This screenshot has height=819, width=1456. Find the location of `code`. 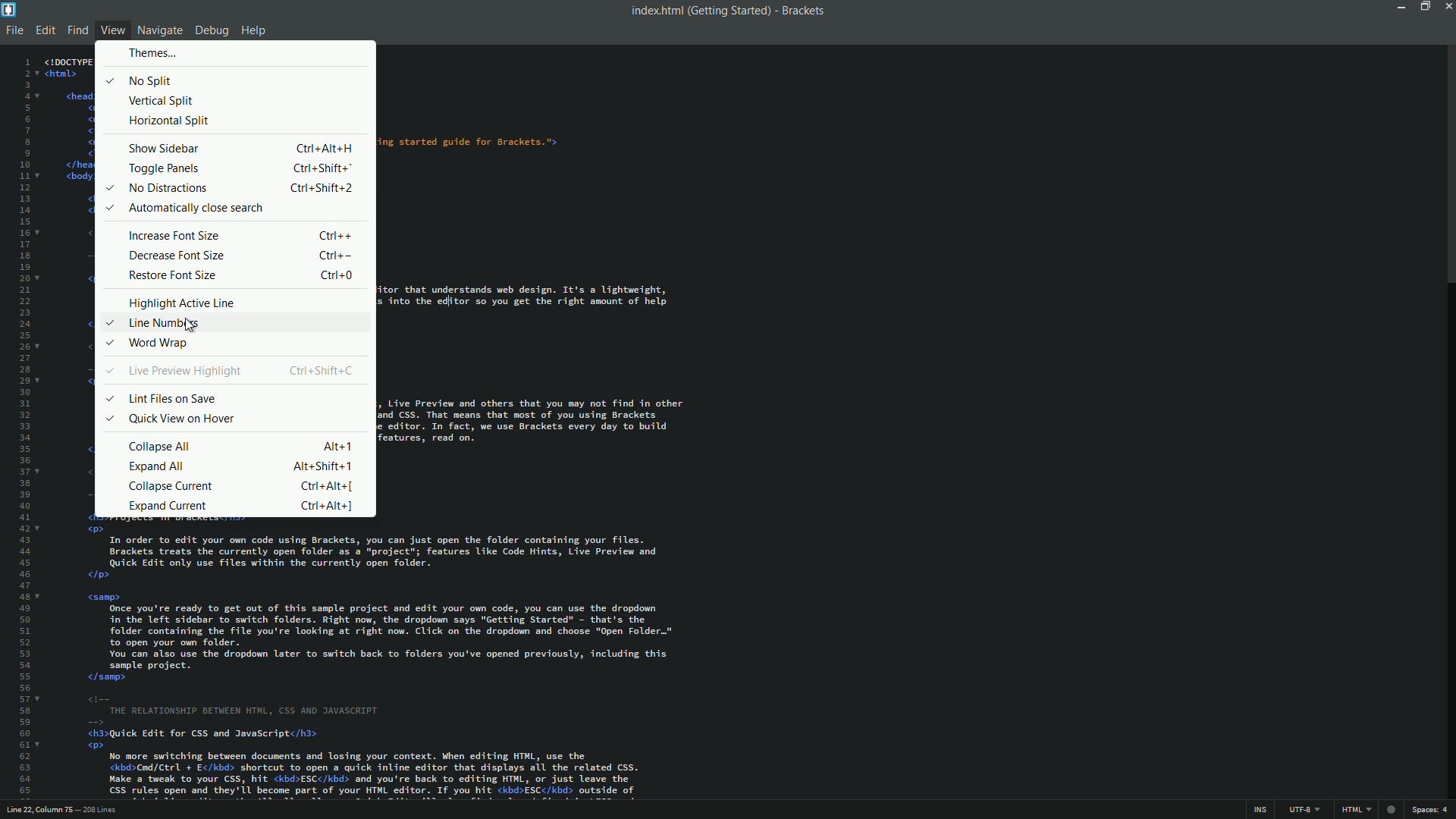

code is located at coordinates (69, 138).